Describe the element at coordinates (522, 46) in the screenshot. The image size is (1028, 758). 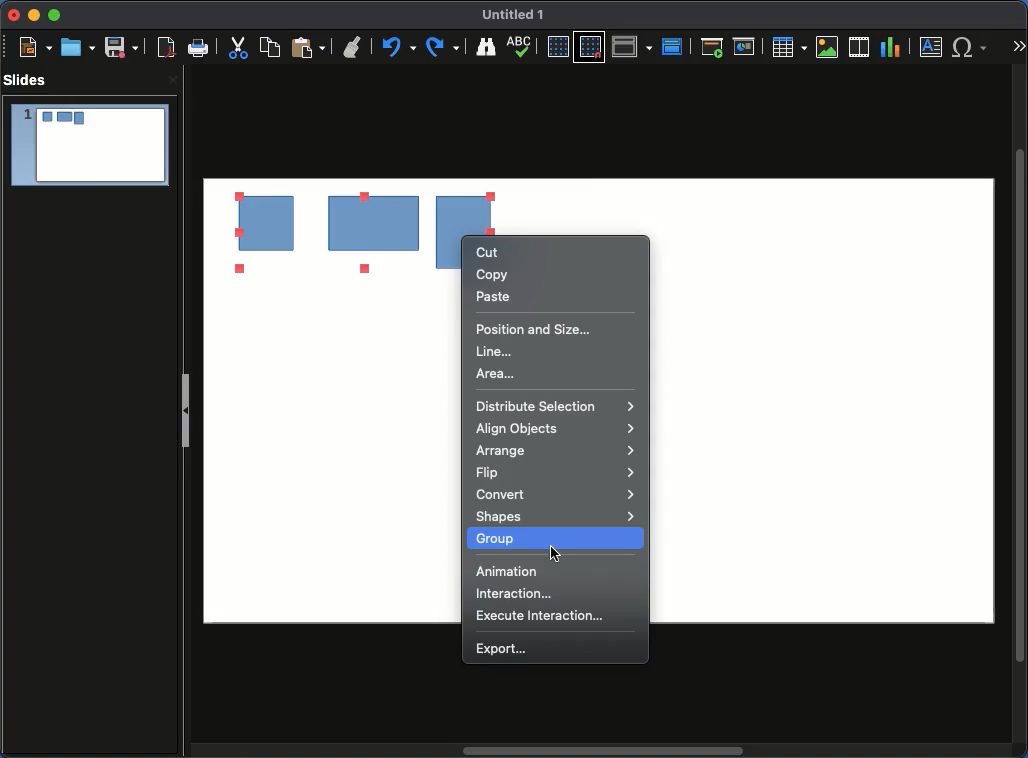
I see `Spell check` at that location.